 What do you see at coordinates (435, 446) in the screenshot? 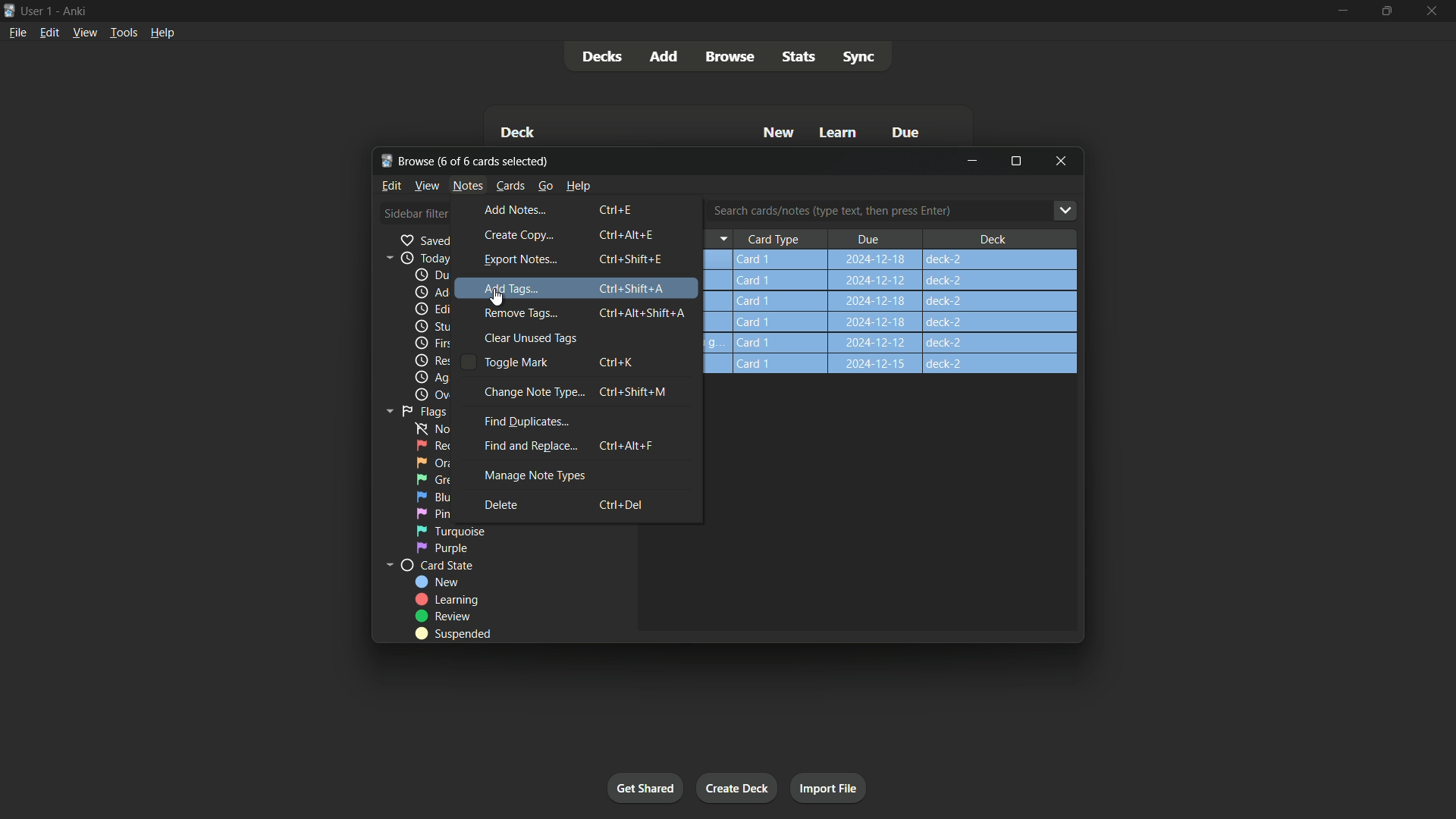
I see `red` at bounding box center [435, 446].